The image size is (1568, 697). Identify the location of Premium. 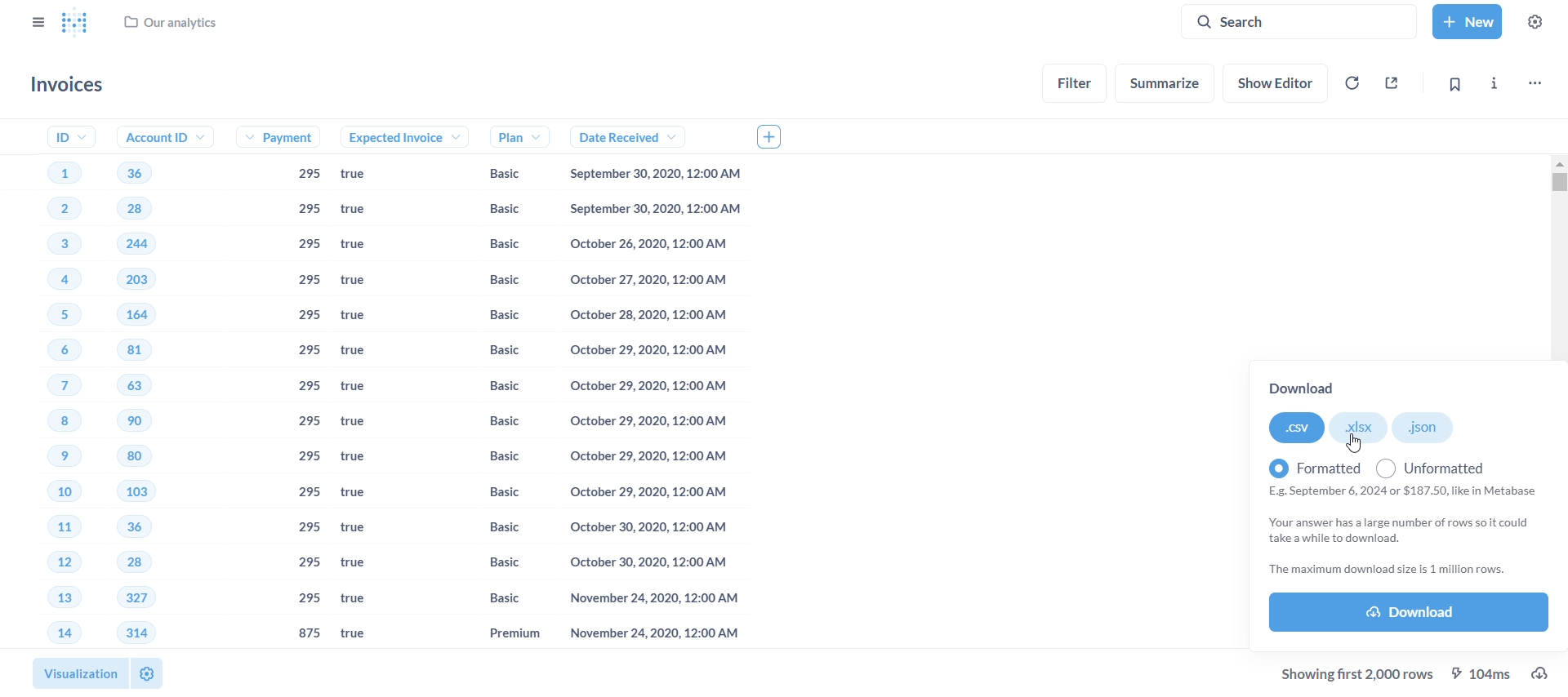
(498, 633).